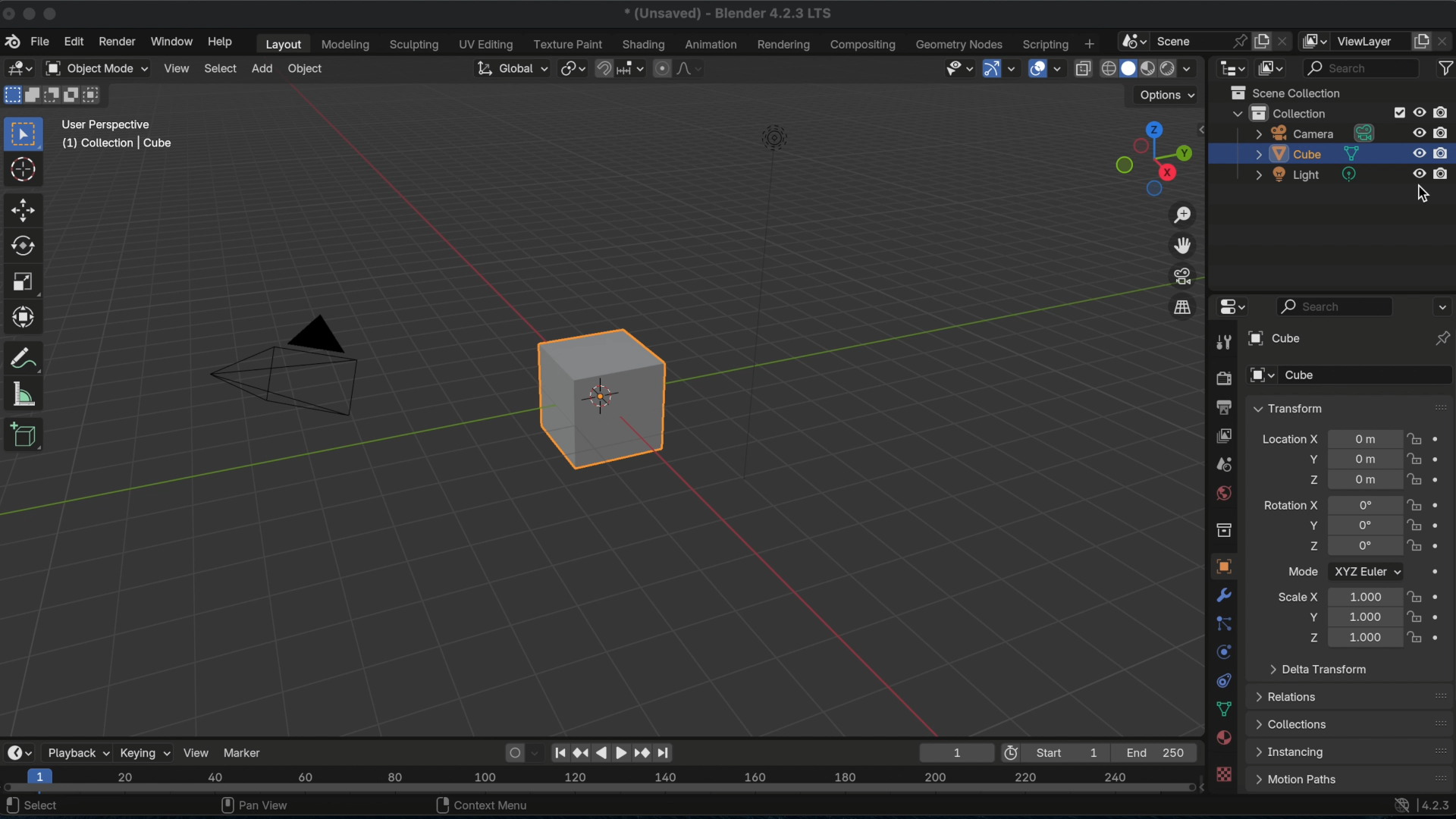 The width and height of the screenshot is (1456, 819). Describe the element at coordinates (1305, 176) in the screenshot. I see `light ` at that location.